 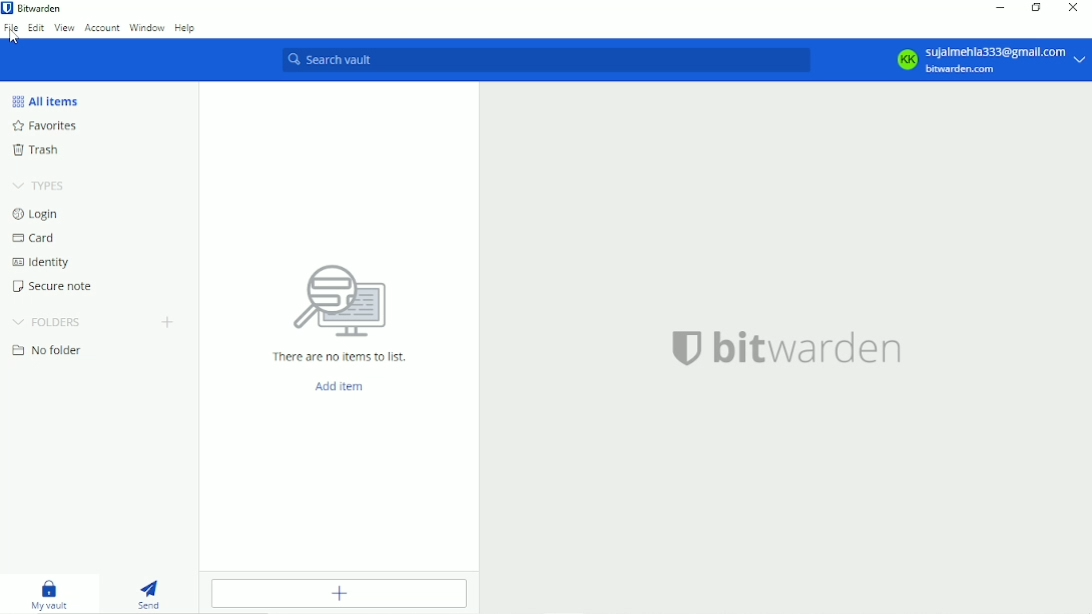 What do you see at coordinates (150, 592) in the screenshot?
I see `Send` at bounding box center [150, 592].